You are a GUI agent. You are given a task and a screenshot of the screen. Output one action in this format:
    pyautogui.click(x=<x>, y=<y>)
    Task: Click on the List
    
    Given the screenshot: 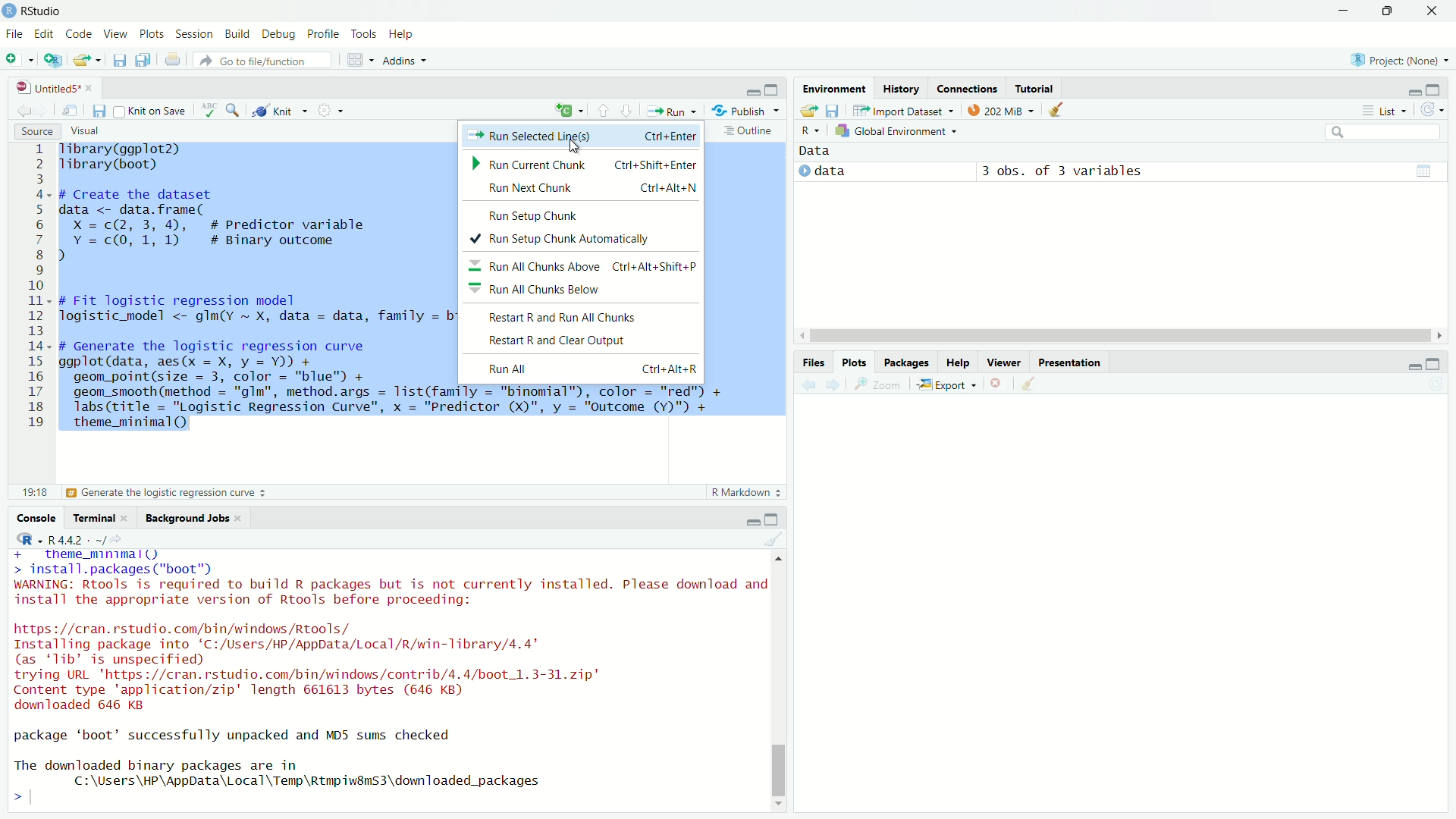 What is the action you would take?
    pyautogui.click(x=1382, y=110)
    